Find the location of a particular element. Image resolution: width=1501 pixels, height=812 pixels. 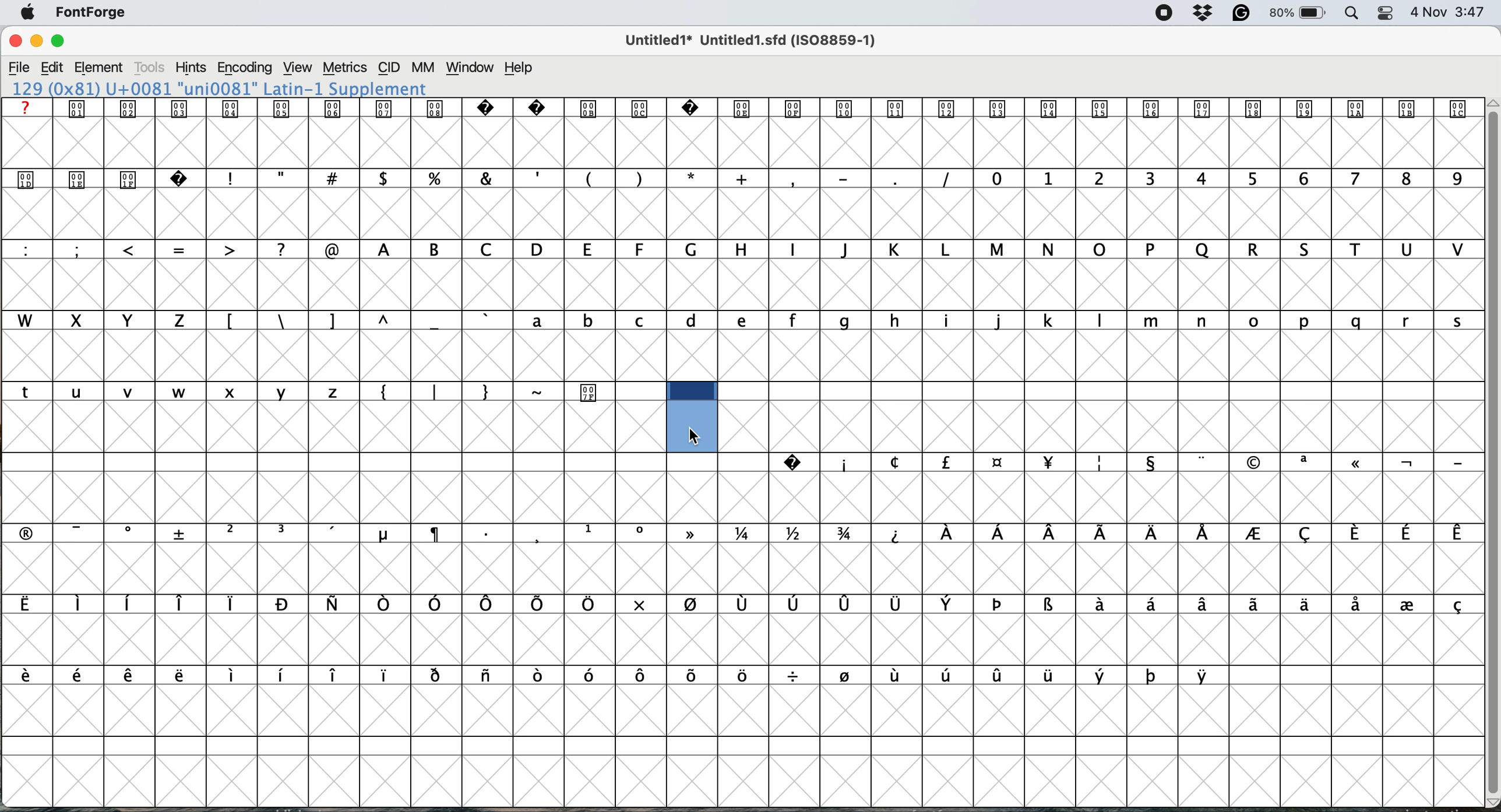

Maximize is located at coordinates (57, 41).